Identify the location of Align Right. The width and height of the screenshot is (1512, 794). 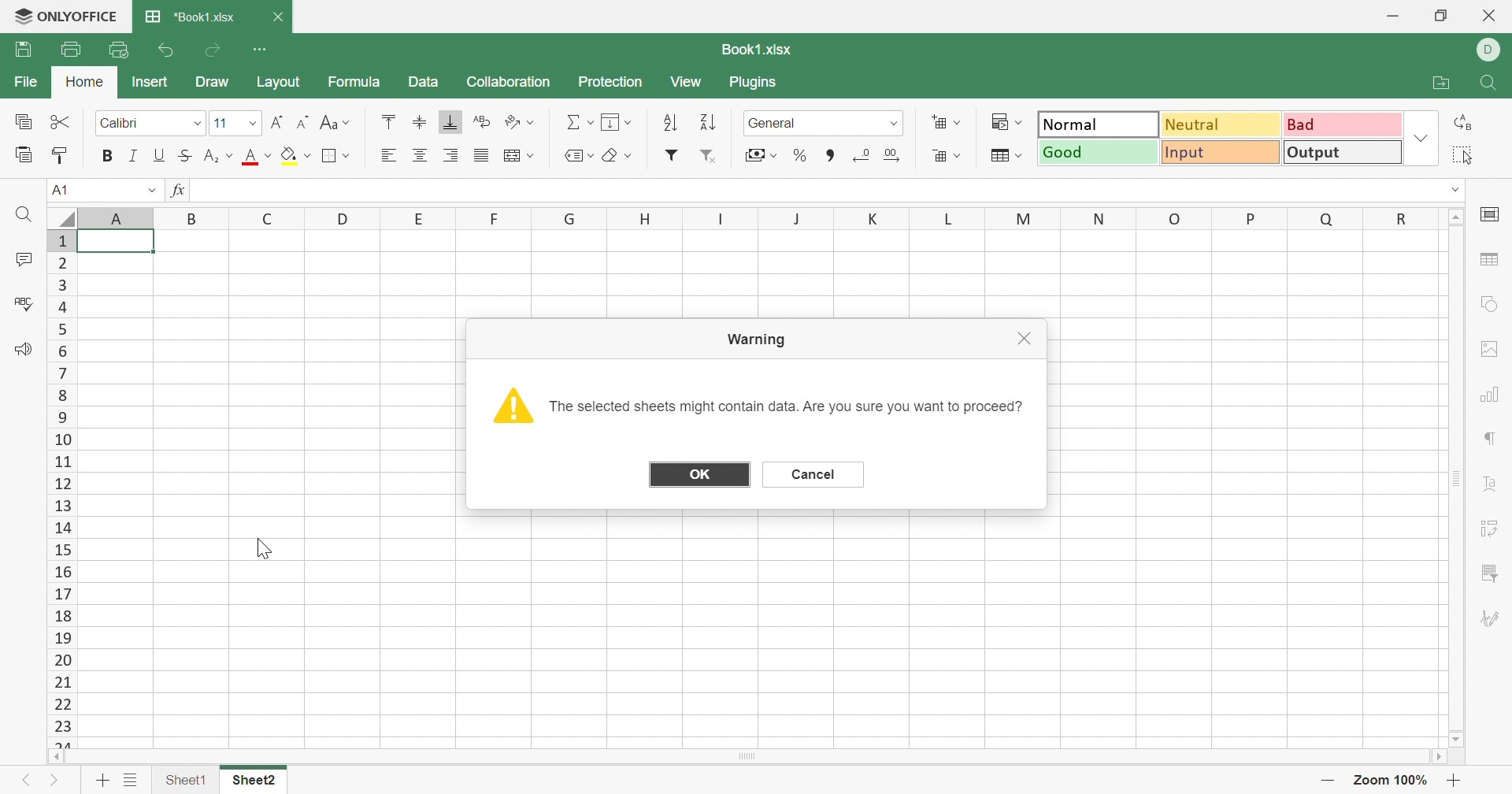
(453, 154).